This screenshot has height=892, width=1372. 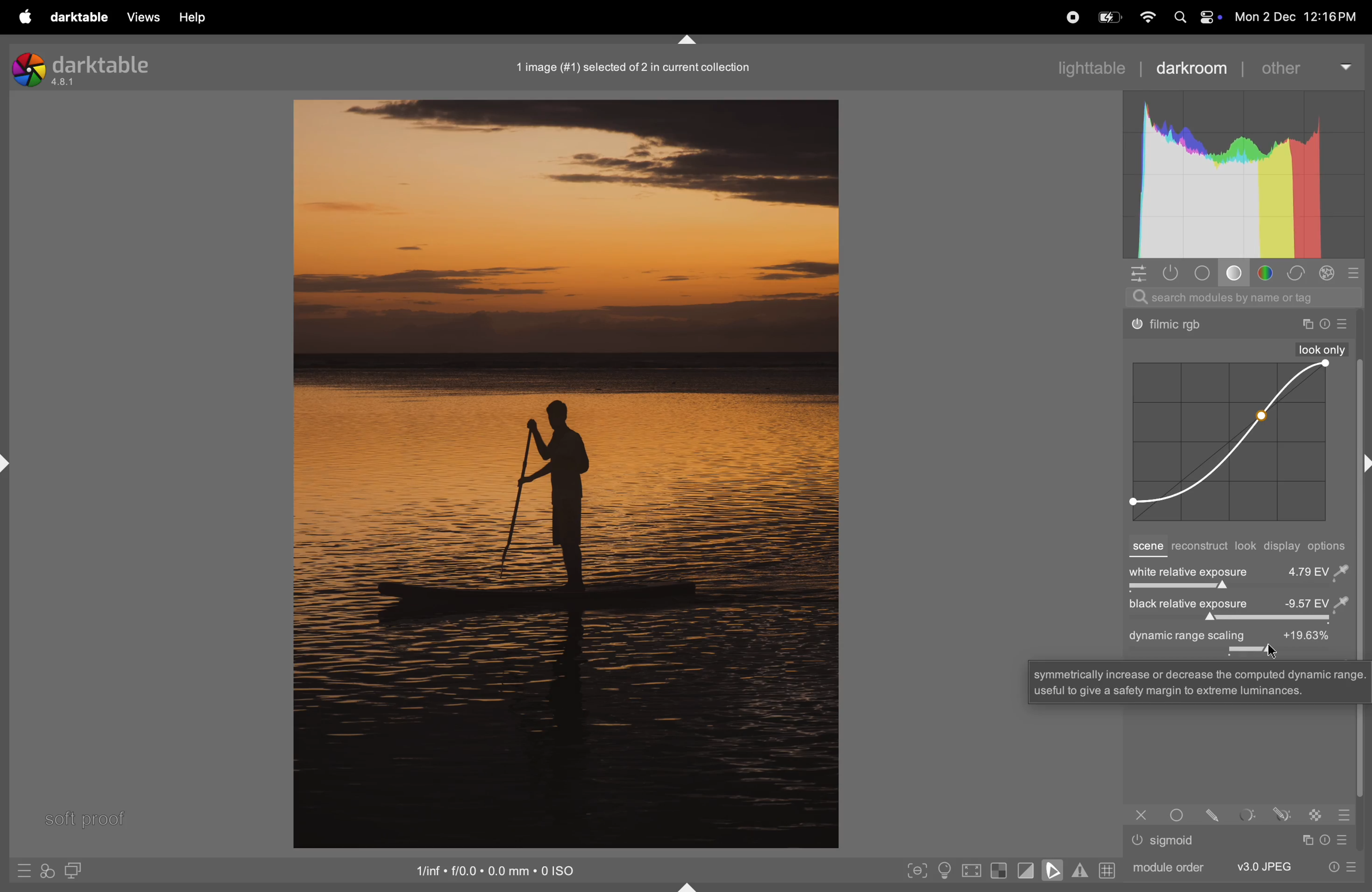 I want to click on help, so click(x=191, y=18).